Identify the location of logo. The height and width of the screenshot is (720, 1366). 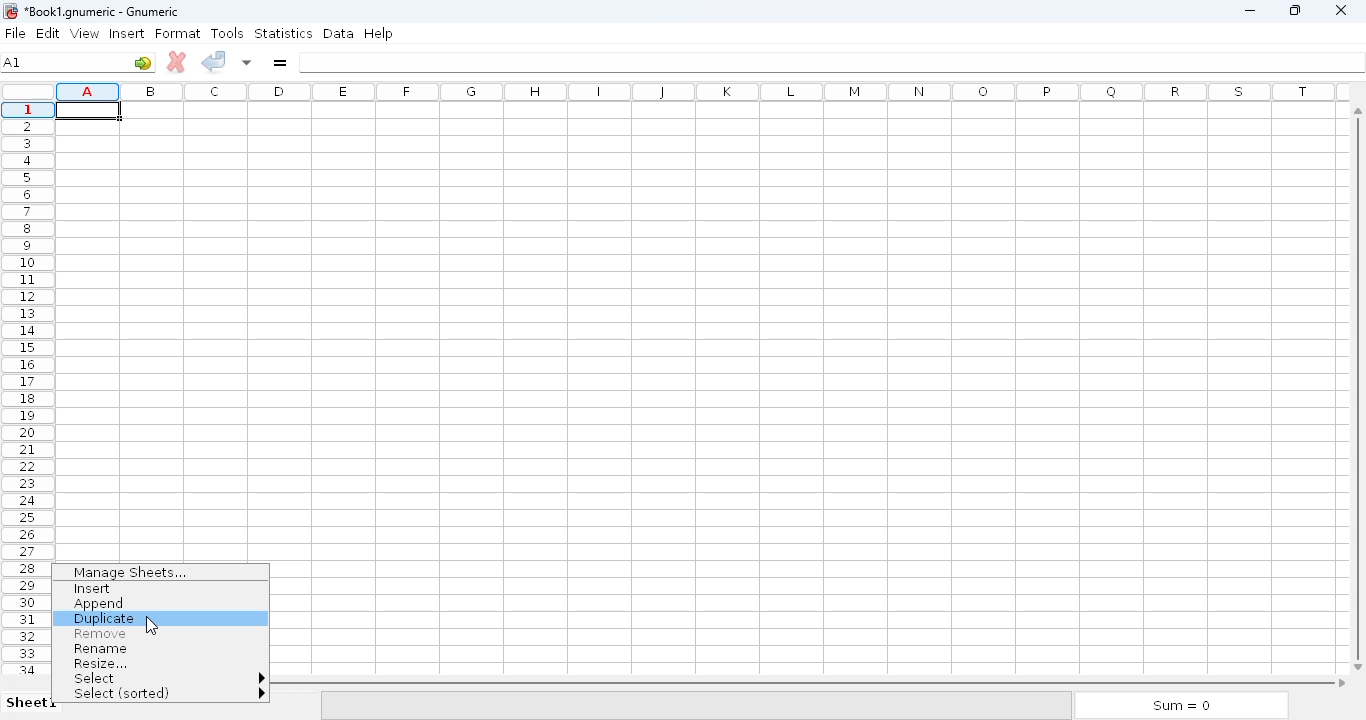
(9, 12).